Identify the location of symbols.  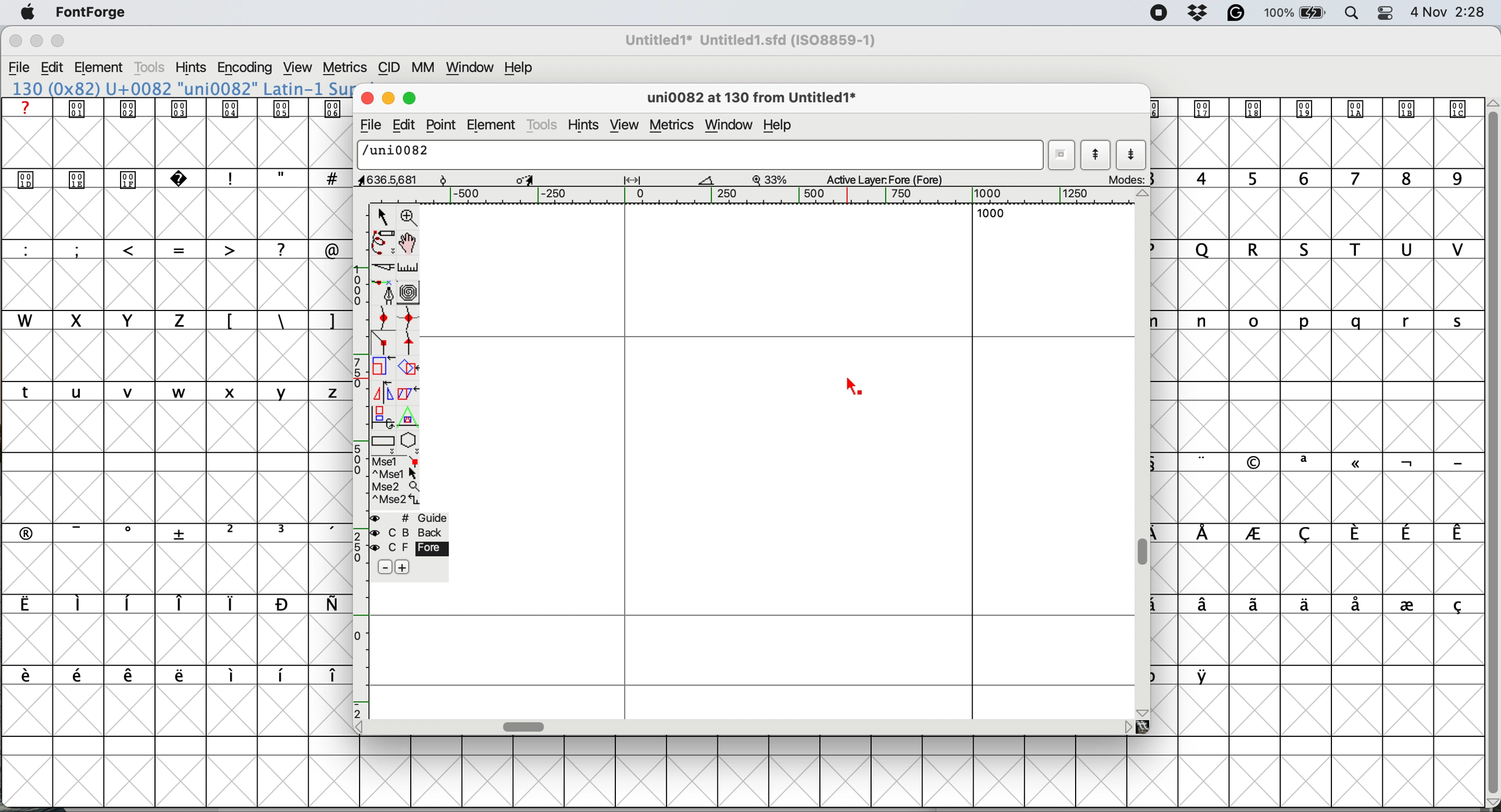
(1325, 606).